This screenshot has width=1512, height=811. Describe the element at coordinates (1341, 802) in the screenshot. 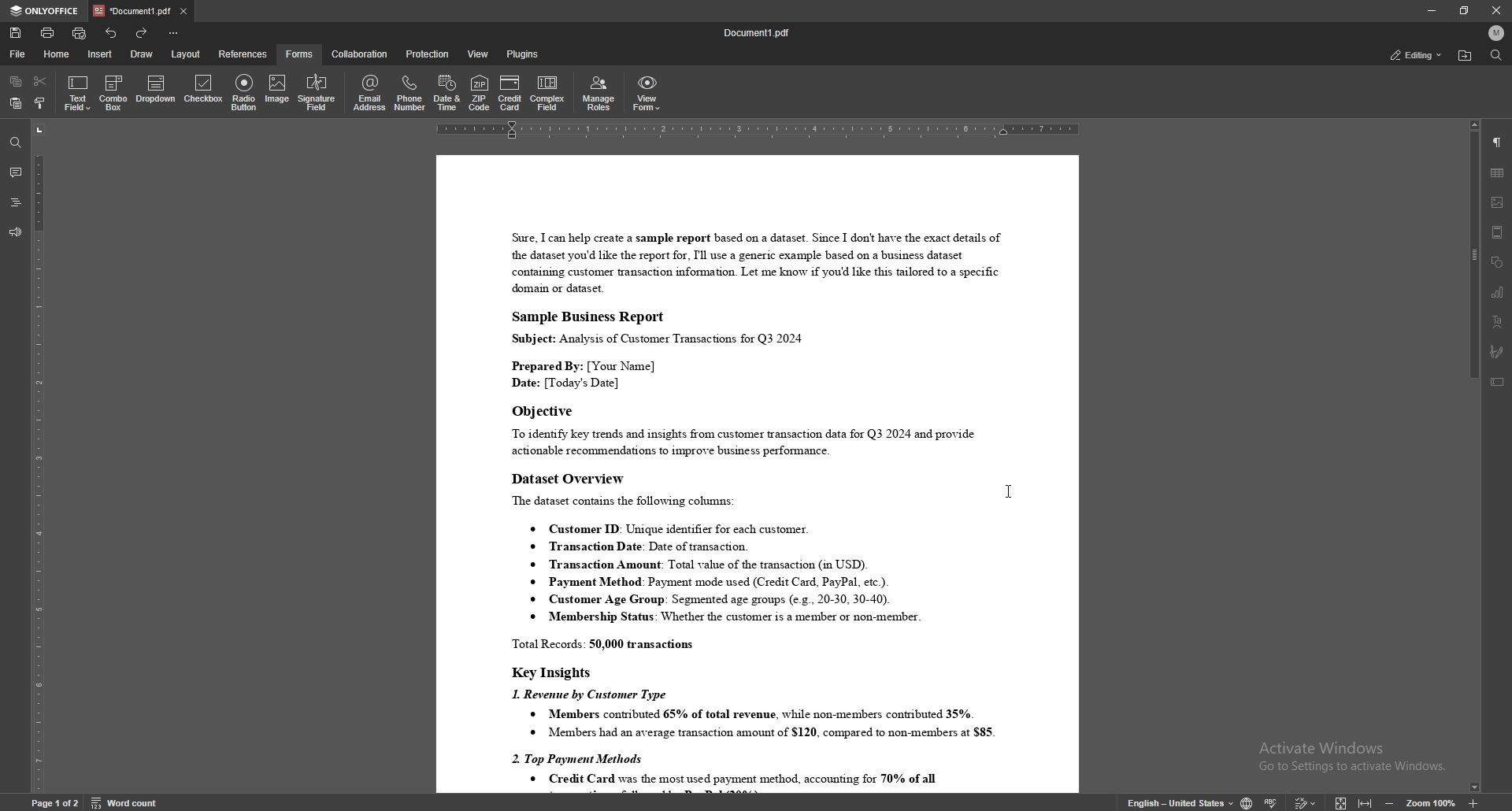

I see `fit to screen` at that location.